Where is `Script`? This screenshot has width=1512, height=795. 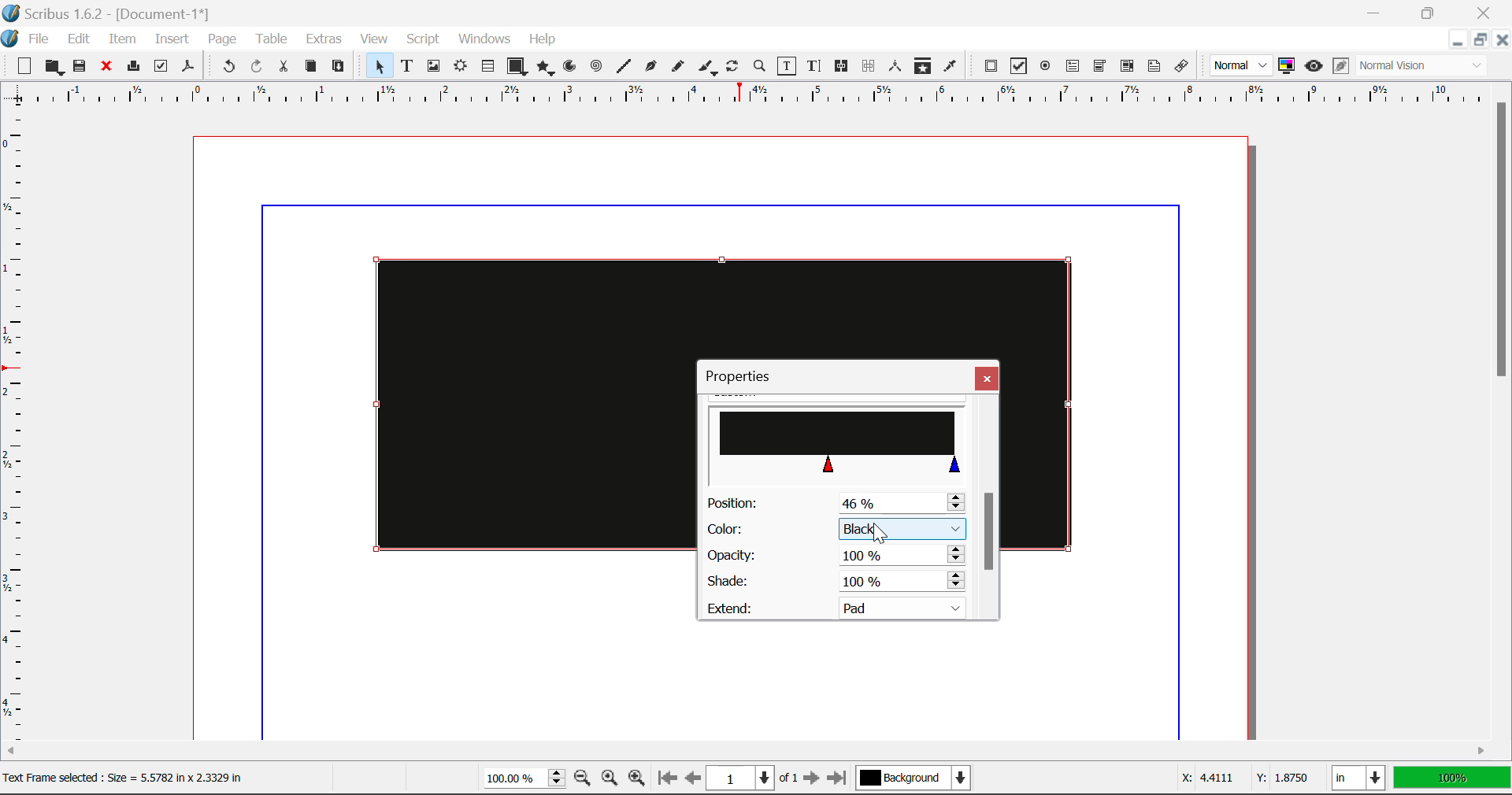 Script is located at coordinates (424, 39).